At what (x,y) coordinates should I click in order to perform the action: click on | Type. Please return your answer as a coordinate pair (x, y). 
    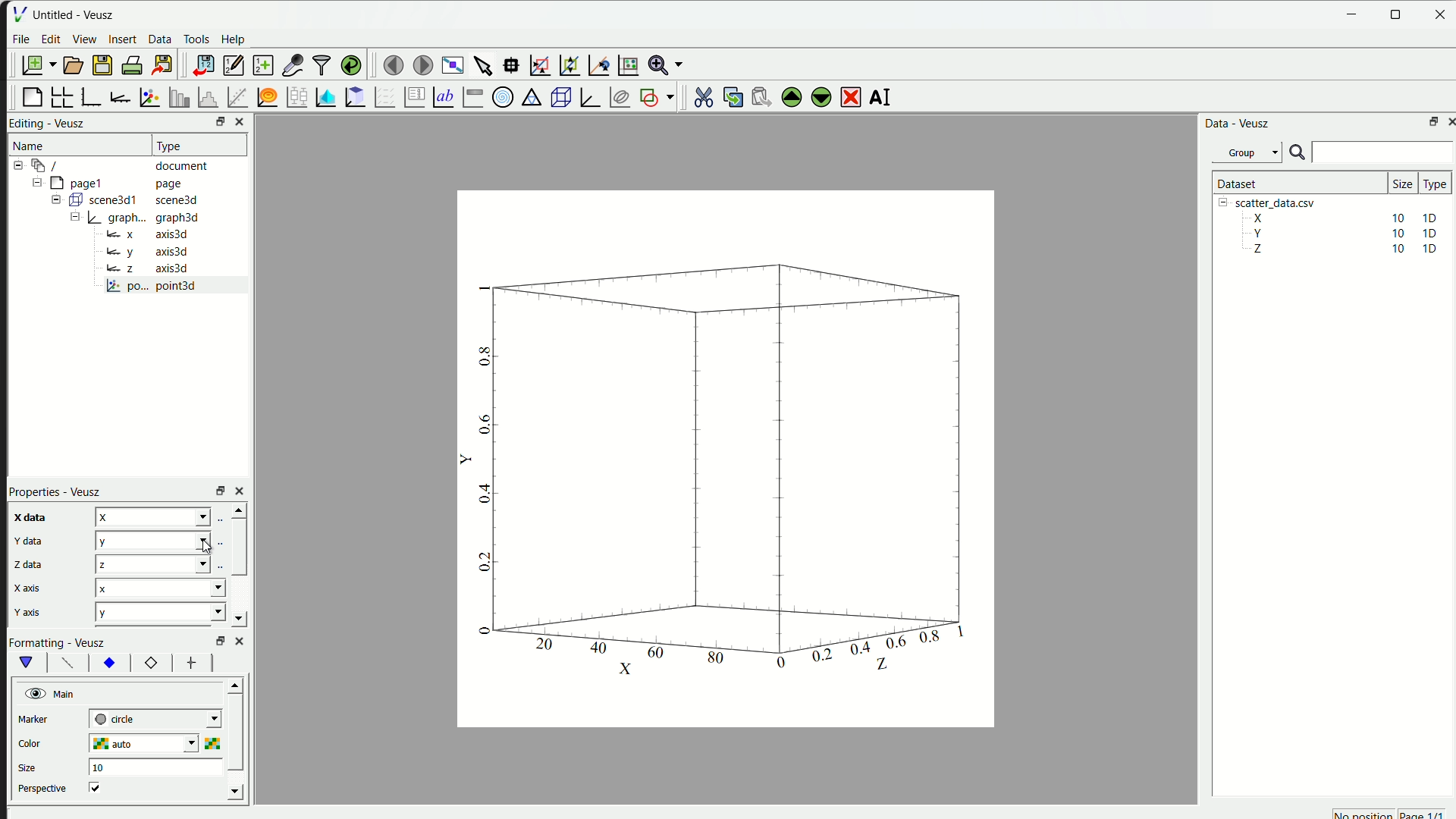
    Looking at the image, I should click on (171, 145).